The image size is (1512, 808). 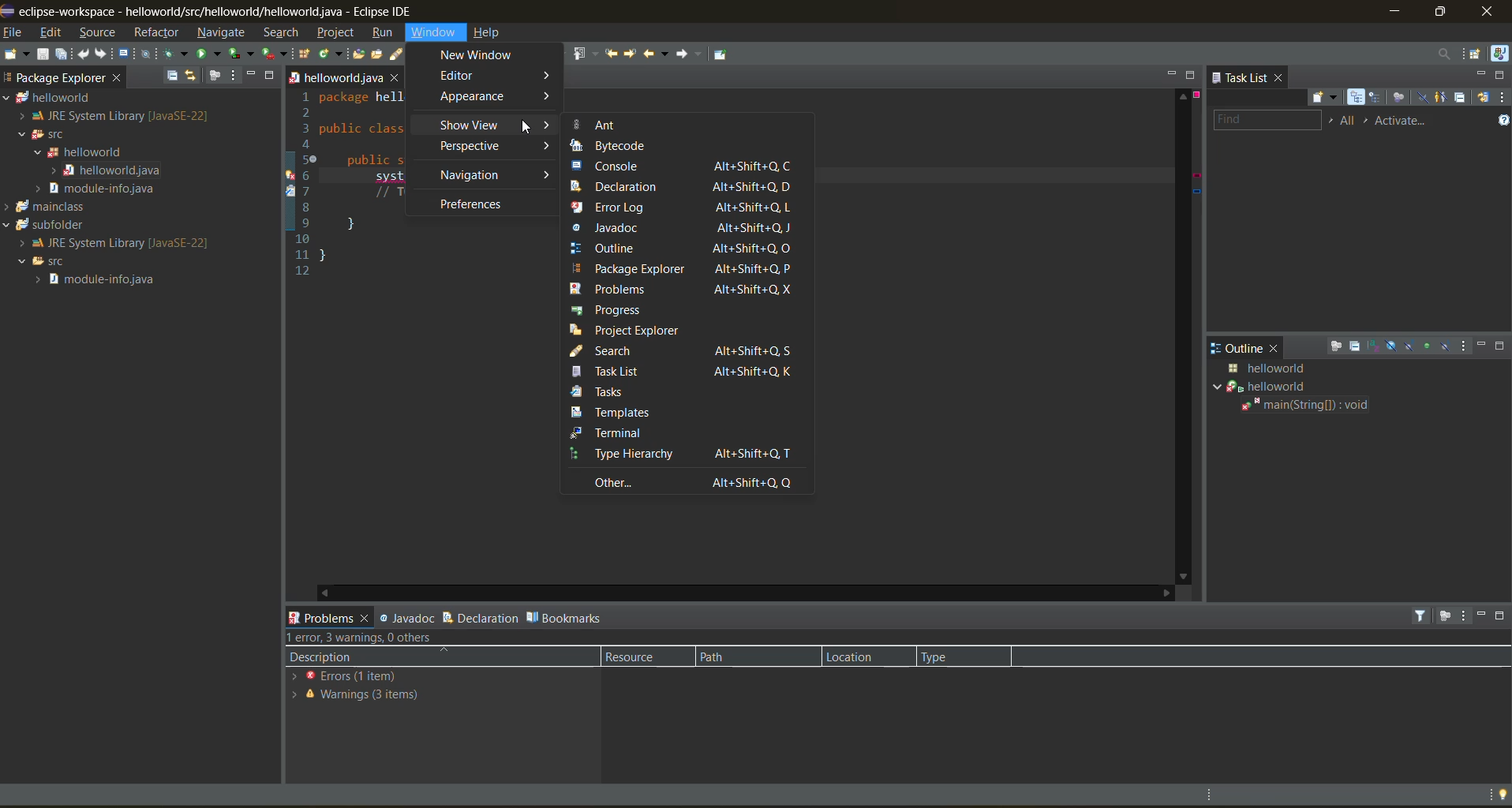 What do you see at coordinates (555, 54) in the screenshot?
I see `next annotation` at bounding box center [555, 54].